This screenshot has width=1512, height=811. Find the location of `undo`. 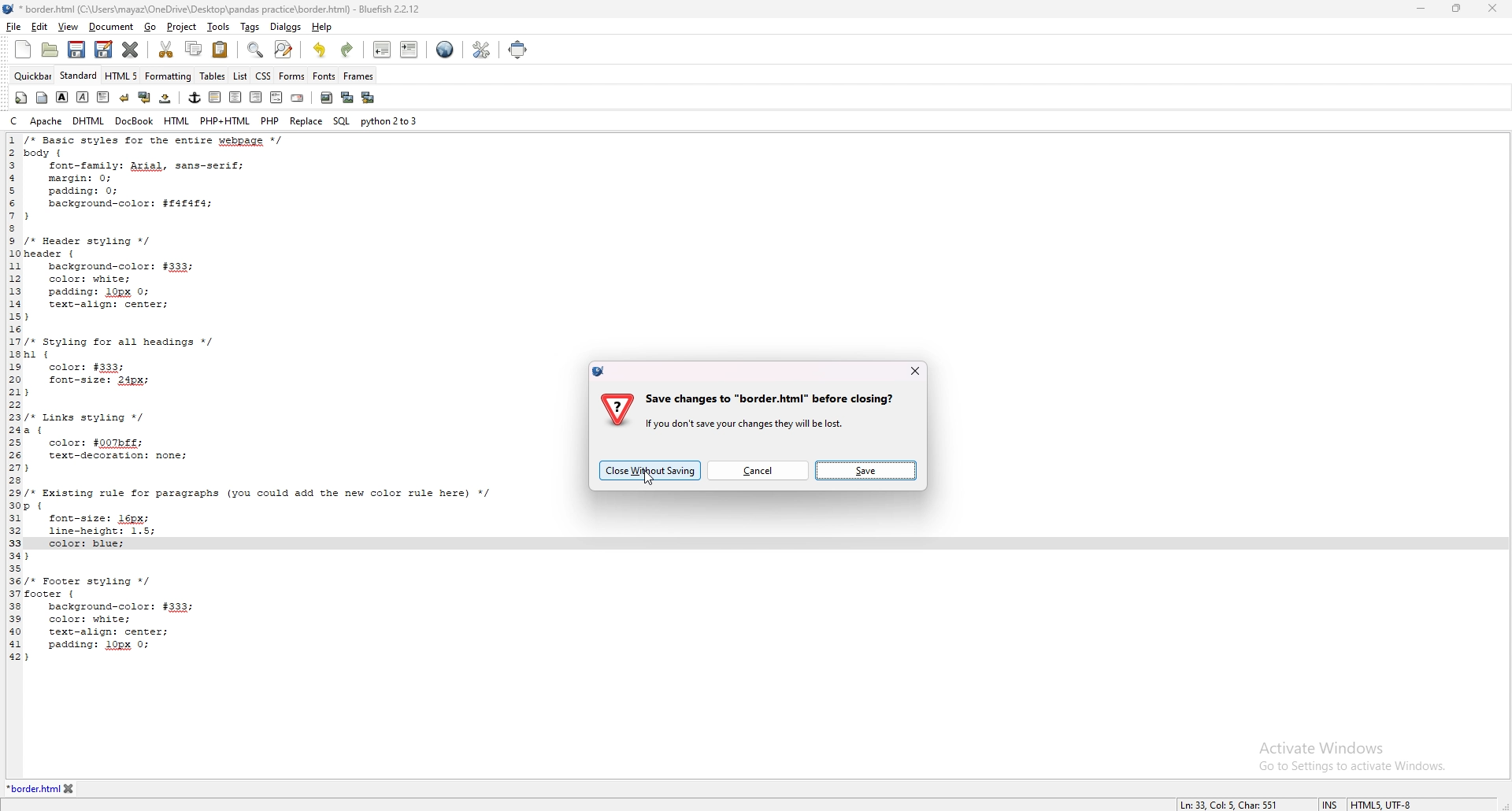

undo is located at coordinates (321, 49).